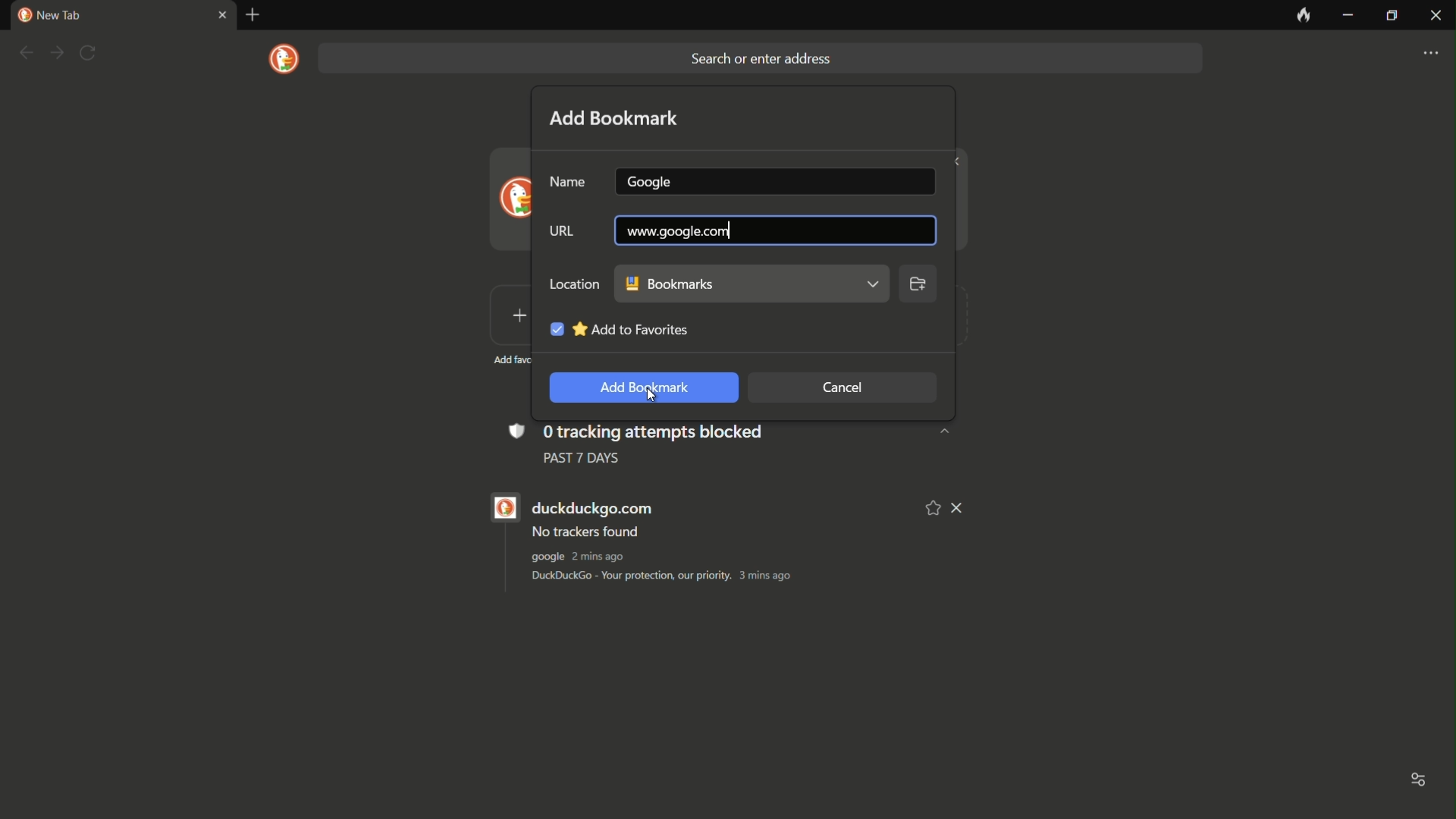 Image resolution: width=1456 pixels, height=819 pixels. What do you see at coordinates (758, 58) in the screenshot?
I see `search bar` at bounding box center [758, 58].